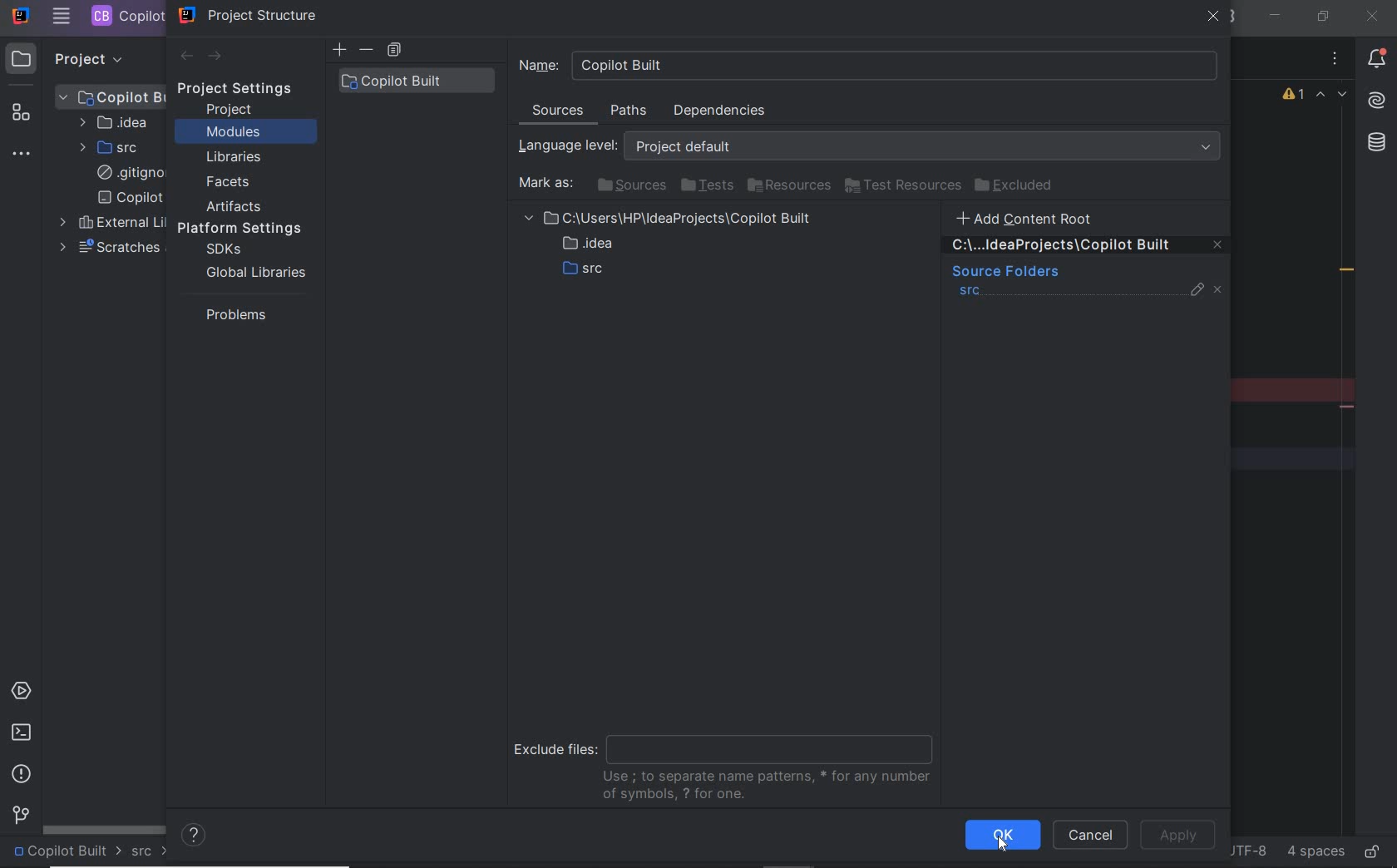 The width and height of the screenshot is (1397, 868). Describe the element at coordinates (394, 51) in the screenshot. I see `copy` at that location.